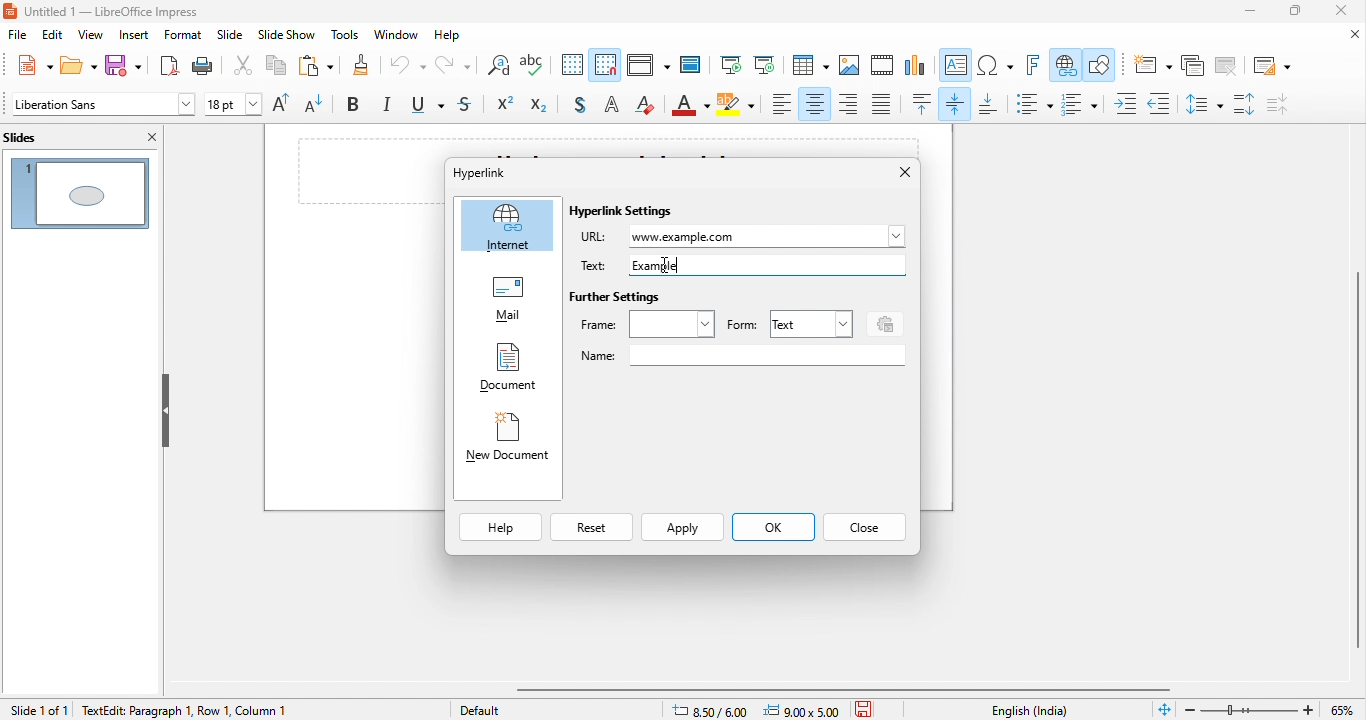  I want to click on slide show, so click(287, 37).